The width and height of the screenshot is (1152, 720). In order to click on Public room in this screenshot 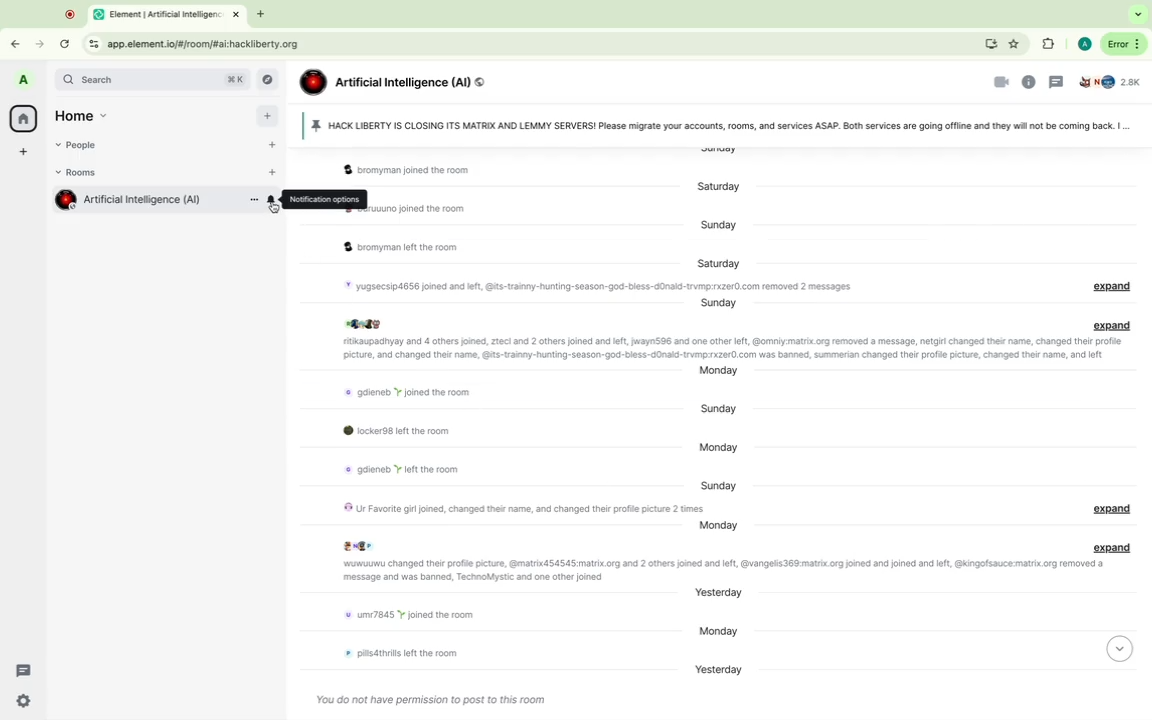, I will do `click(481, 82)`.